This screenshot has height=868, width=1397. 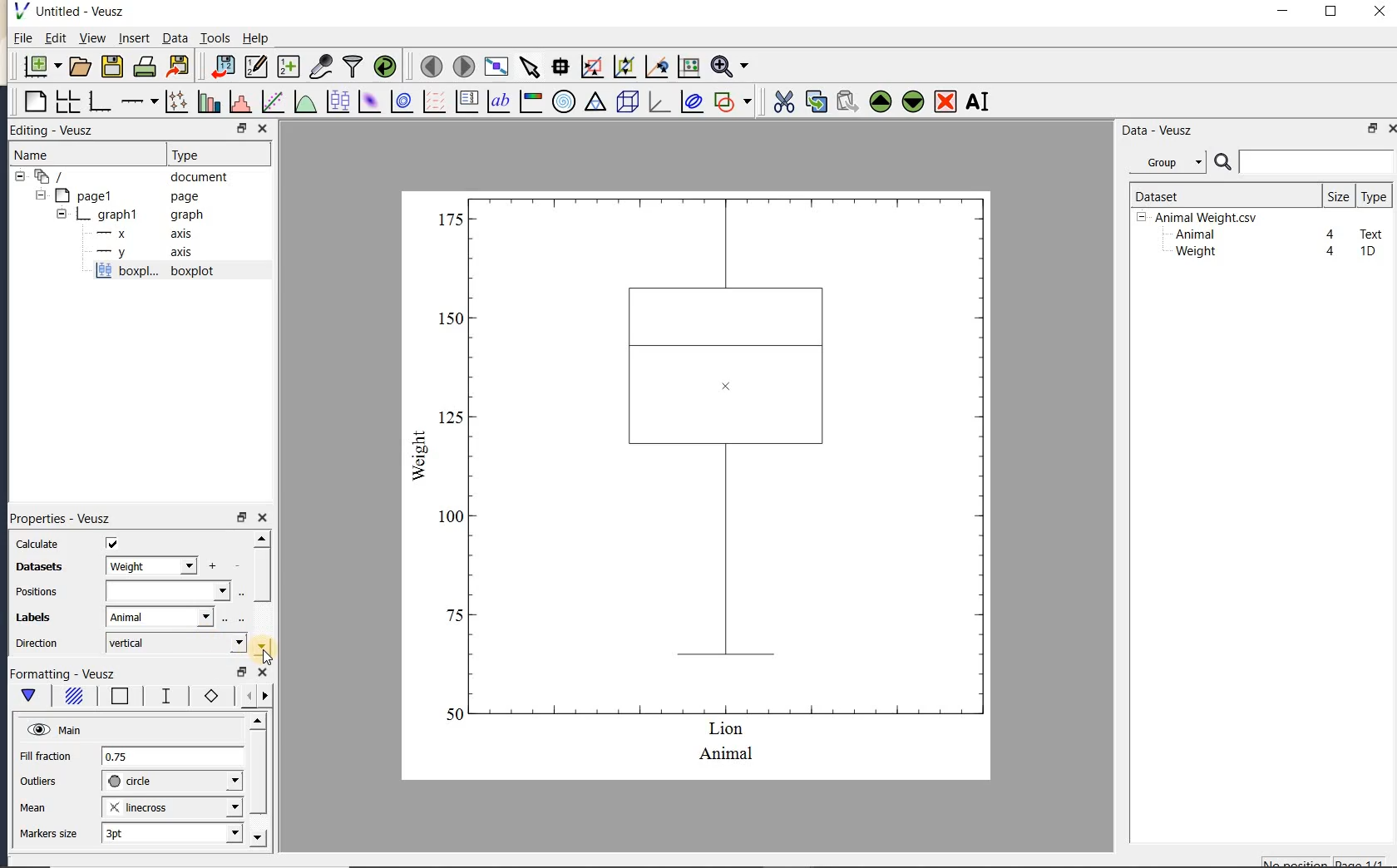 I want to click on scrollbar, so click(x=257, y=781).